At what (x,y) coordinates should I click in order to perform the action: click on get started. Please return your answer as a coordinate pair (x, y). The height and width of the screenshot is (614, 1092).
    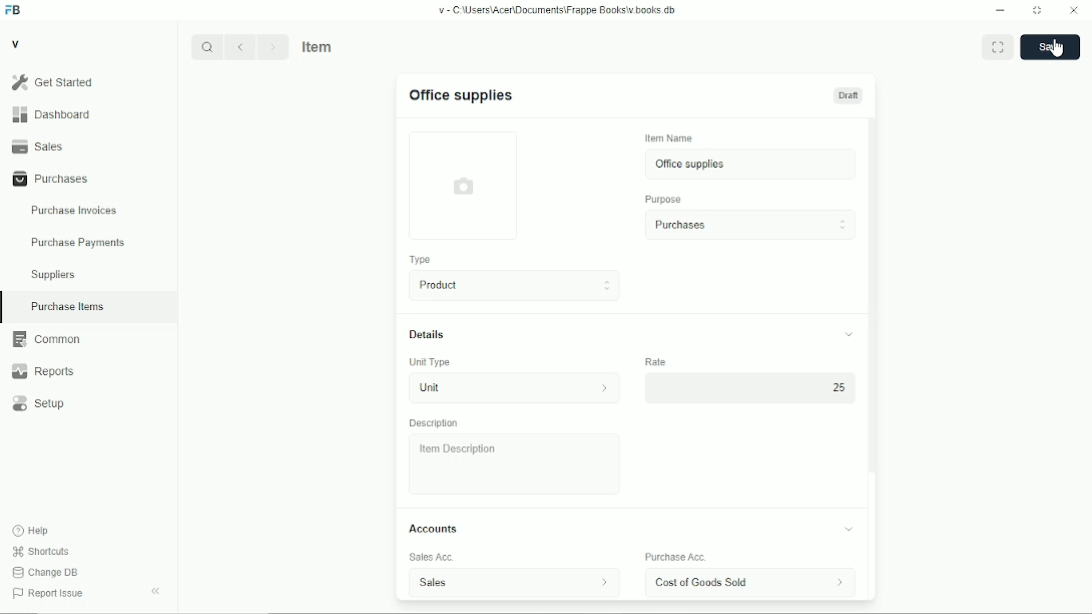
    Looking at the image, I should click on (53, 82).